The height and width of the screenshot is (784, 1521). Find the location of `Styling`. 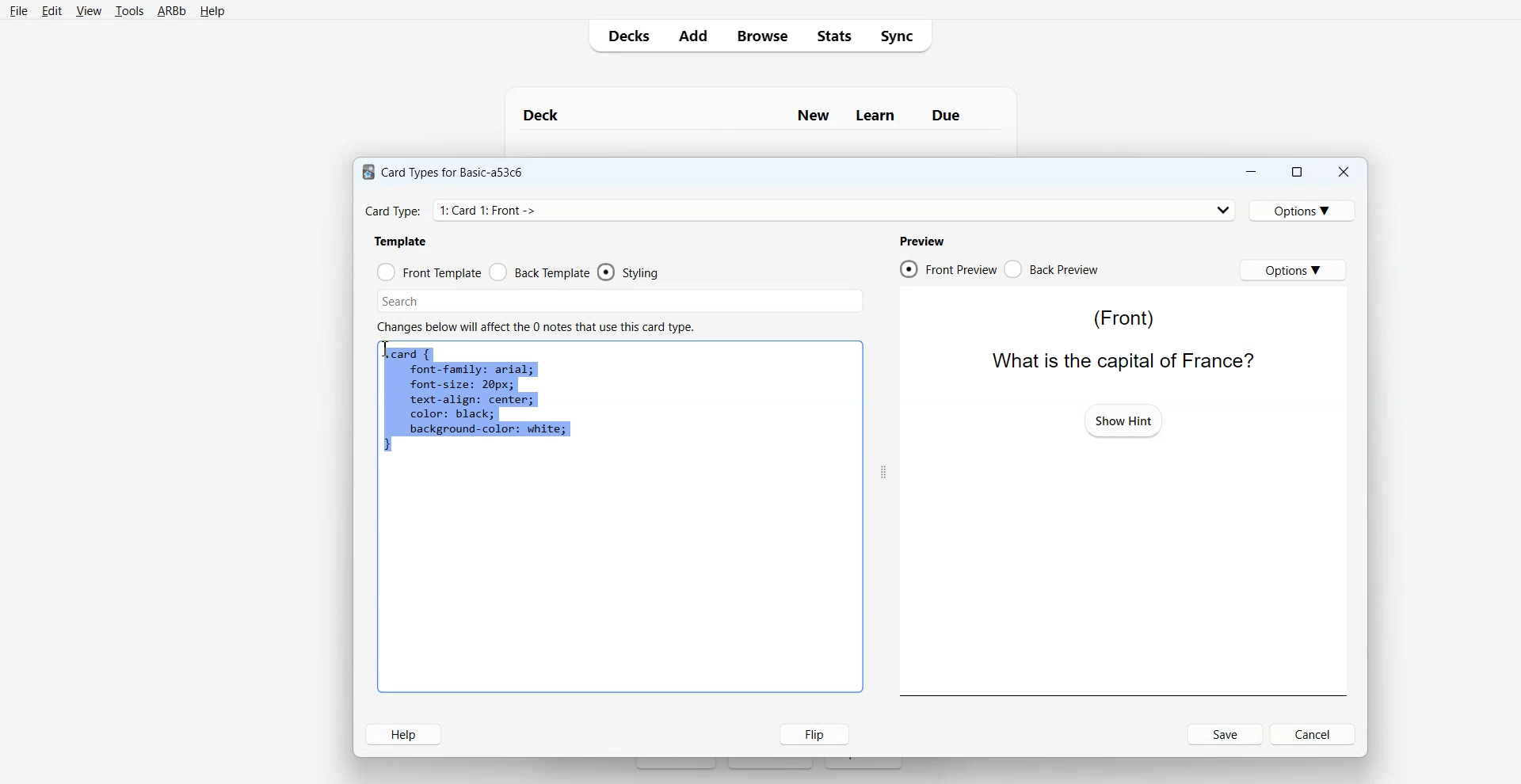

Styling is located at coordinates (630, 272).